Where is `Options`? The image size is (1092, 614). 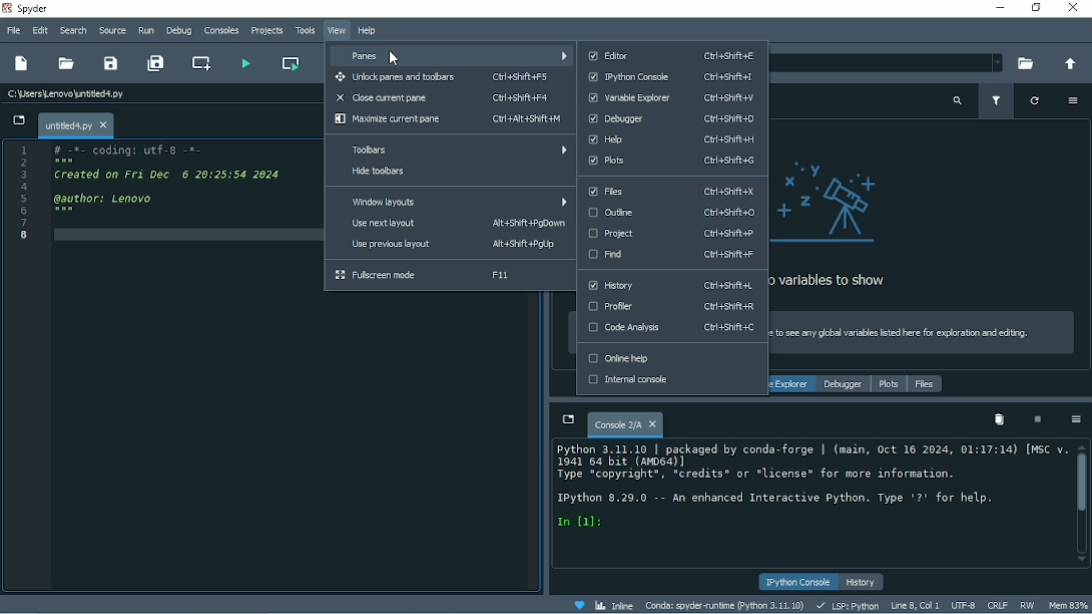
Options is located at coordinates (1076, 421).